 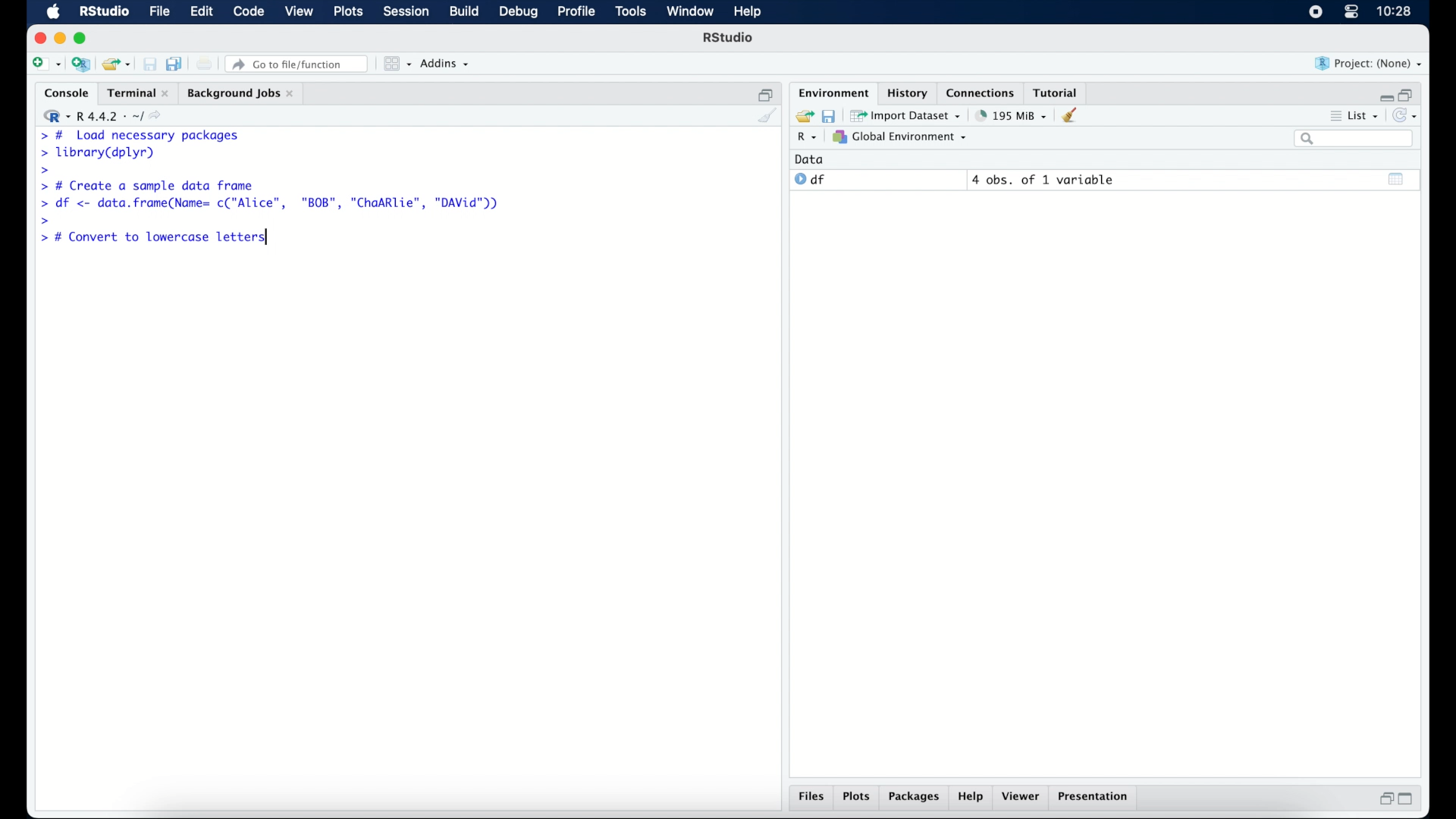 What do you see at coordinates (133, 93) in the screenshot?
I see `Terminal` at bounding box center [133, 93].